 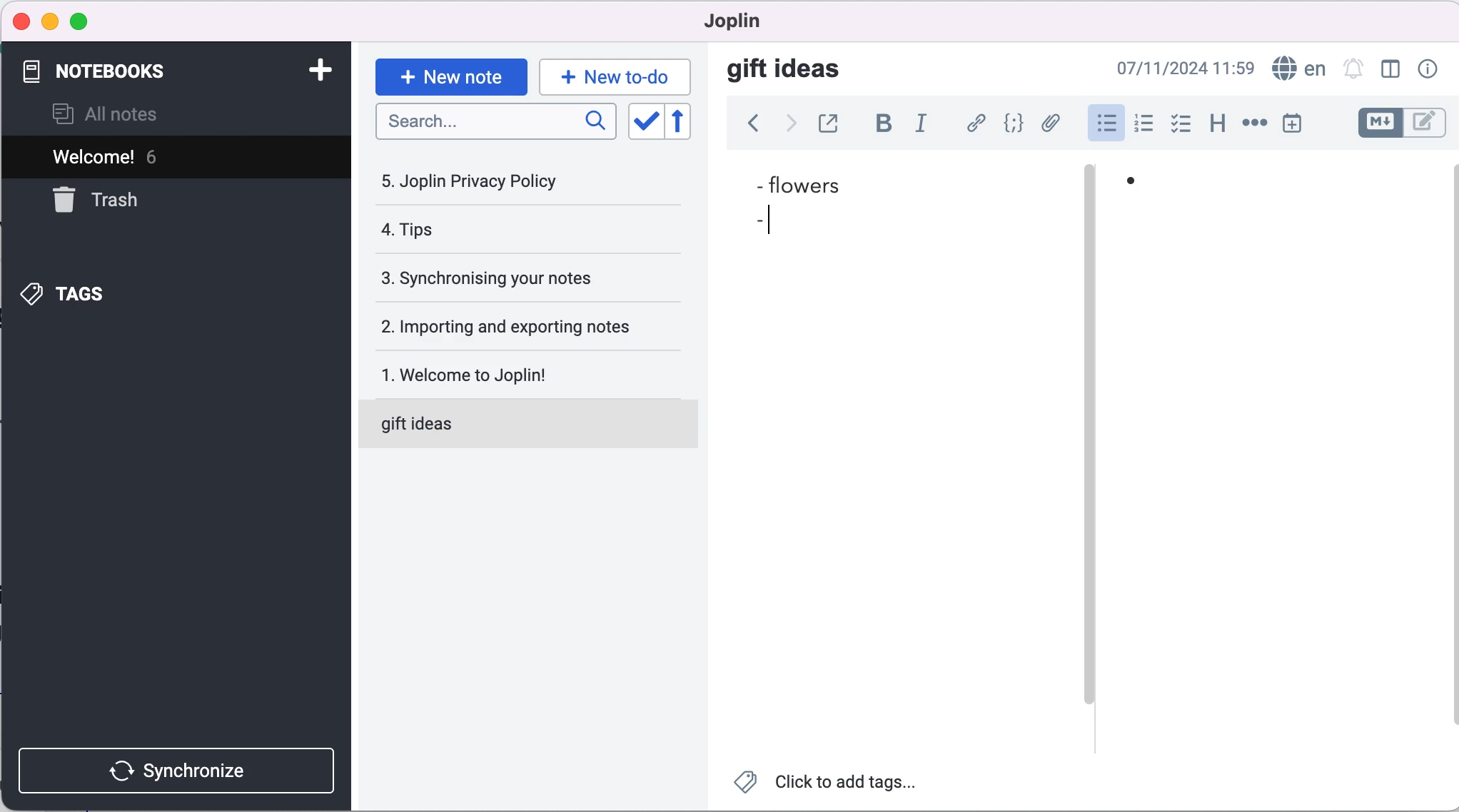 What do you see at coordinates (1400, 123) in the screenshot?
I see `toggle editors` at bounding box center [1400, 123].